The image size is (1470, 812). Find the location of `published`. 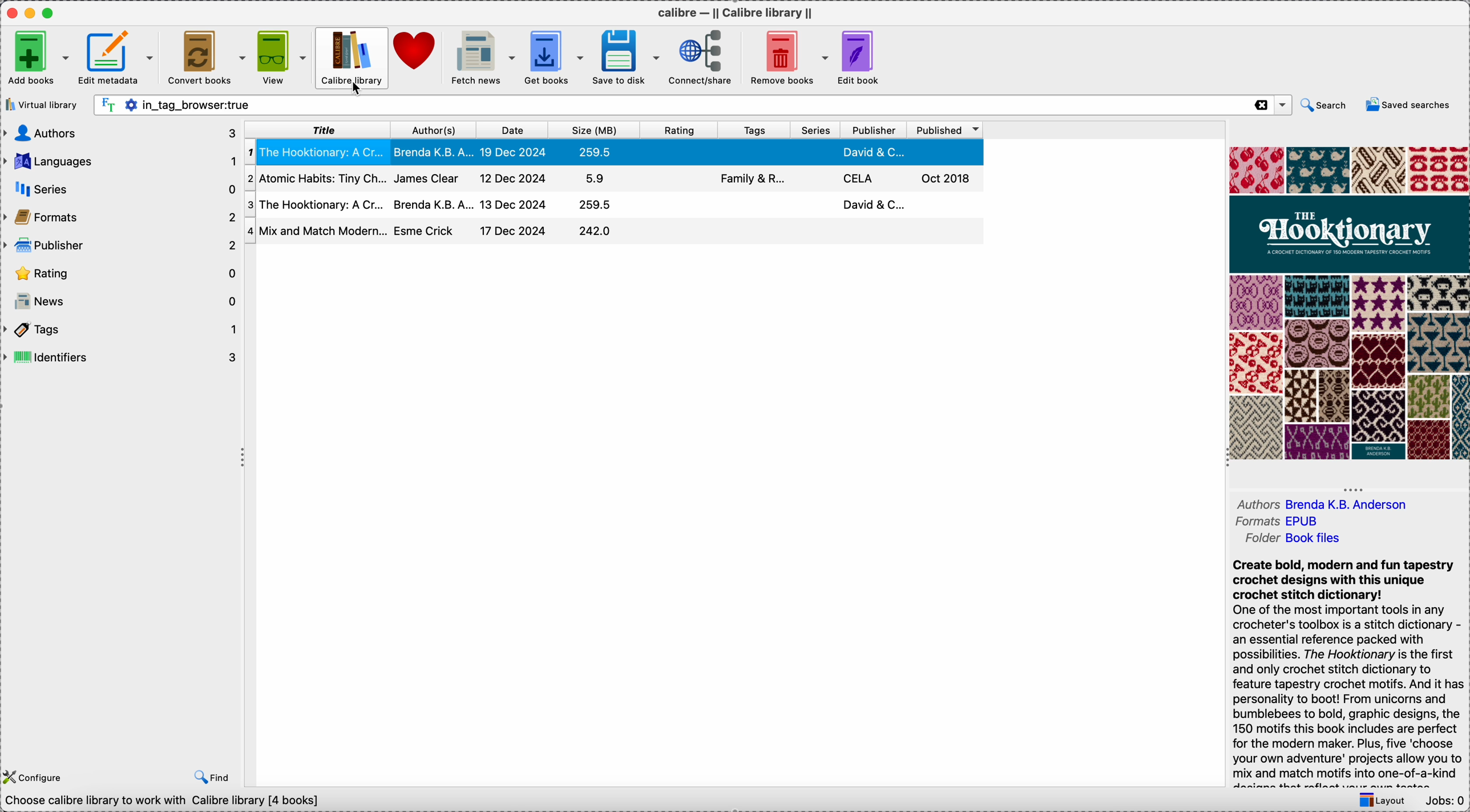

published is located at coordinates (946, 131).